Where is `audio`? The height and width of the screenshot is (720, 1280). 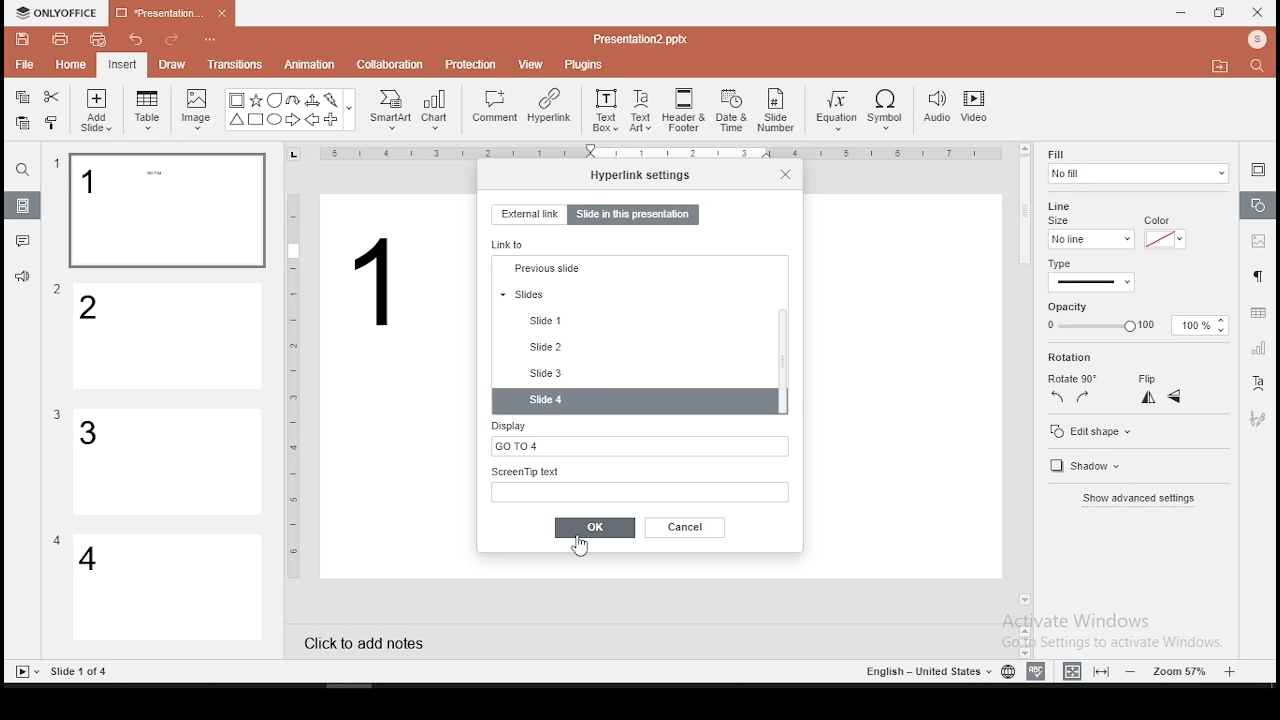
audio is located at coordinates (937, 108).